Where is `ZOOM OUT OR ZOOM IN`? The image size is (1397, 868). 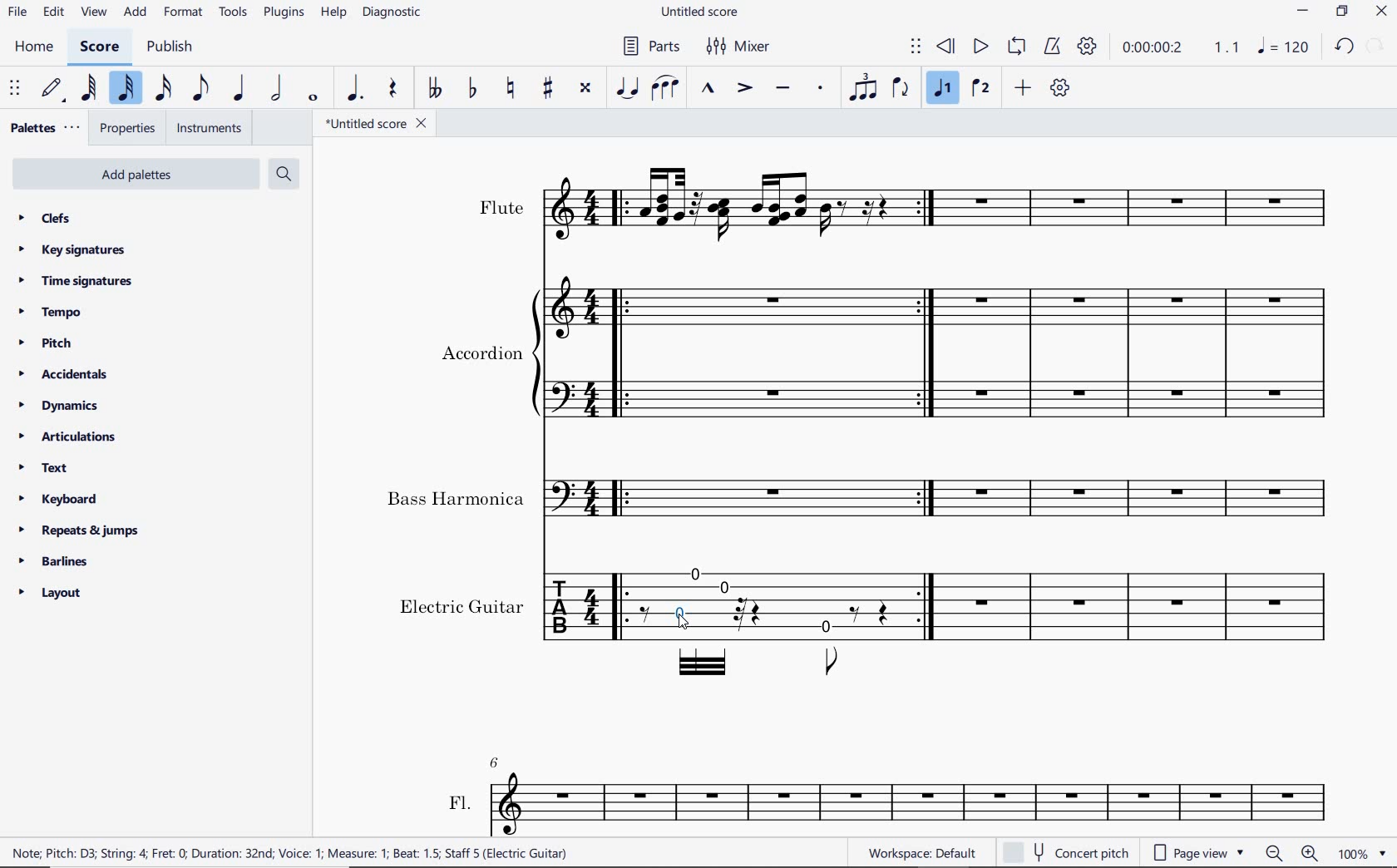
ZOOM OUT OR ZOOM IN is located at coordinates (1291, 852).